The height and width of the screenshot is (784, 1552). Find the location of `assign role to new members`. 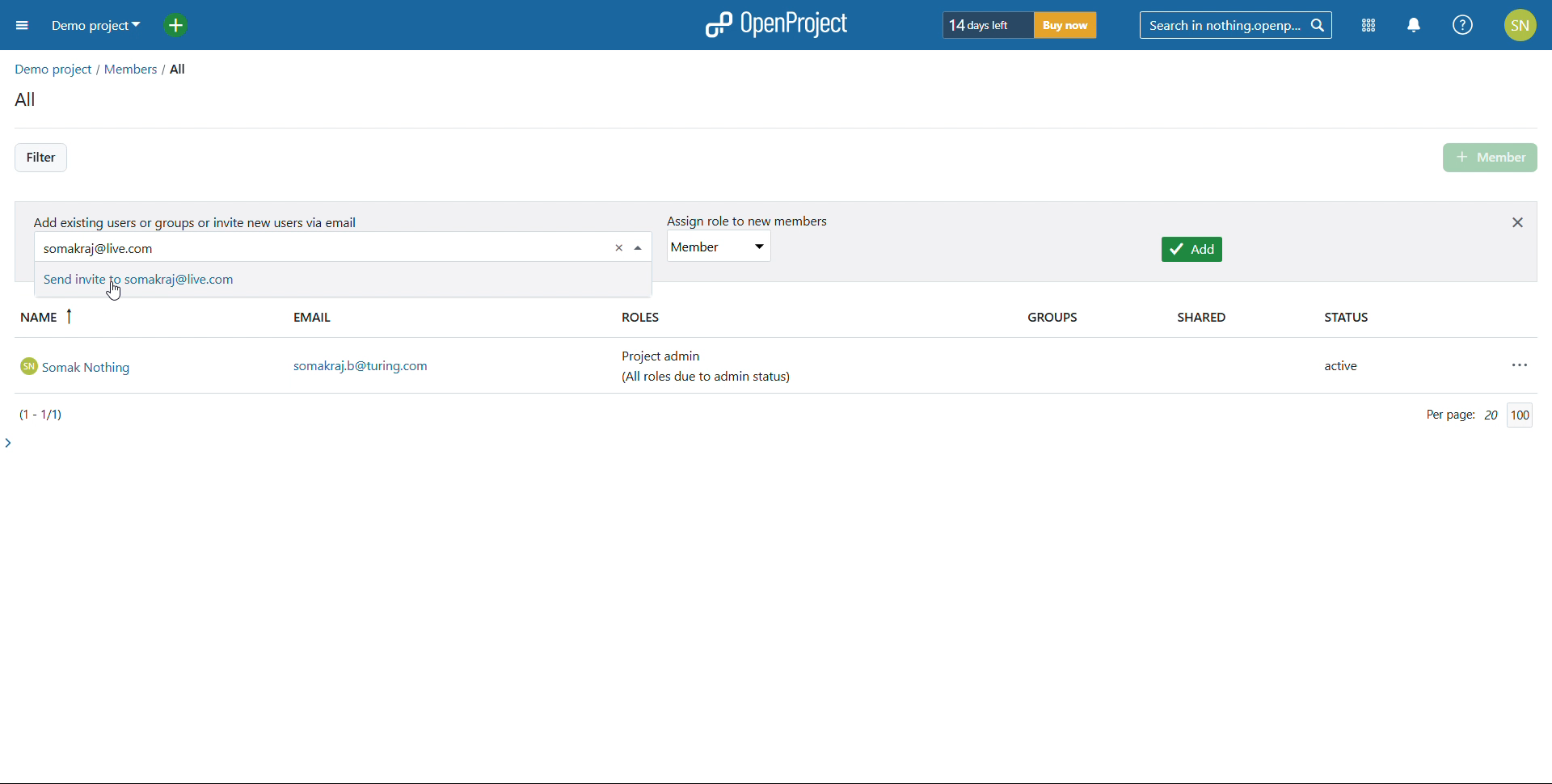

assign role to new members is located at coordinates (740, 221).